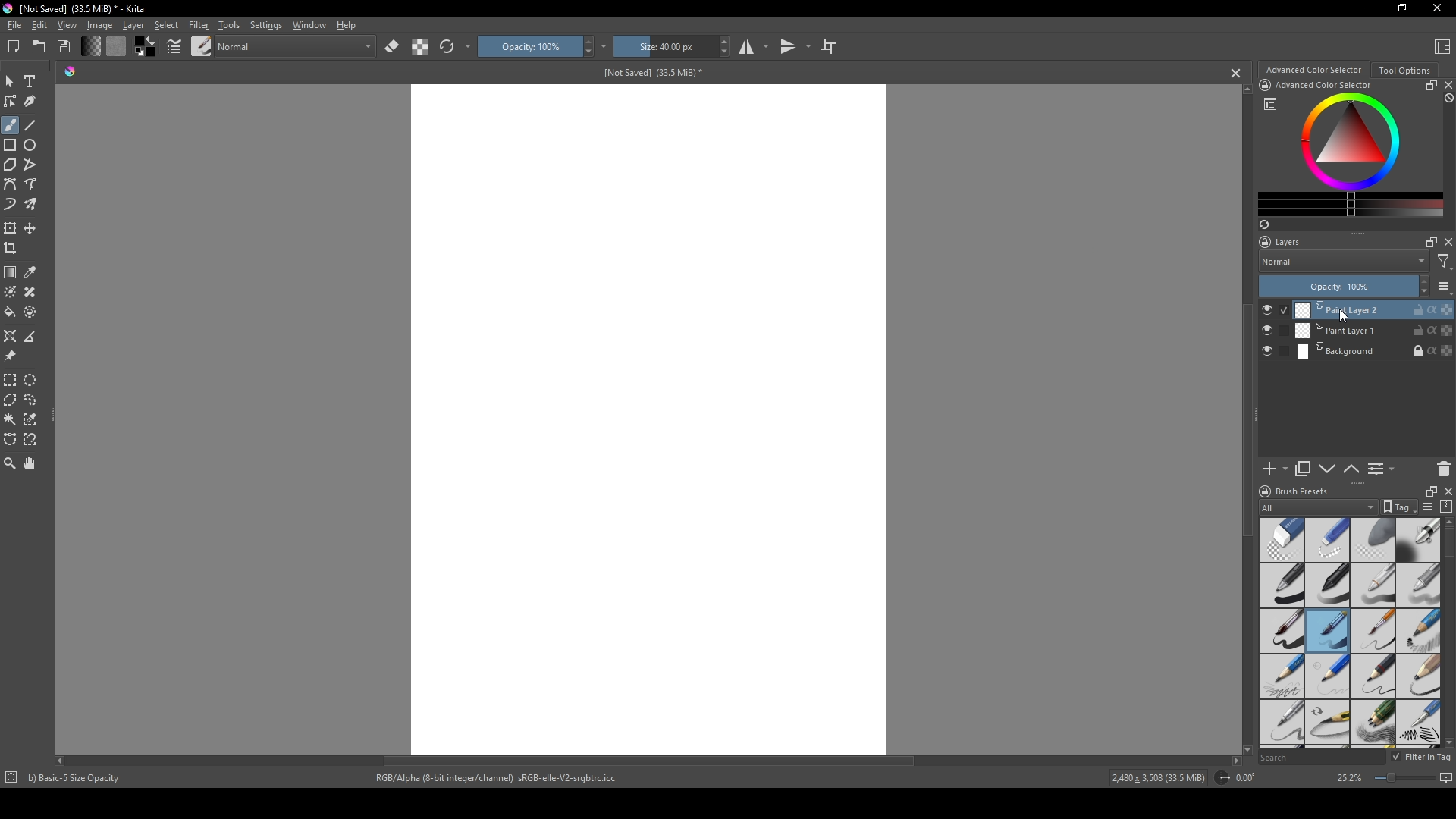  Describe the element at coordinates (143, 47) in the screenshot. I see `color` at that location.